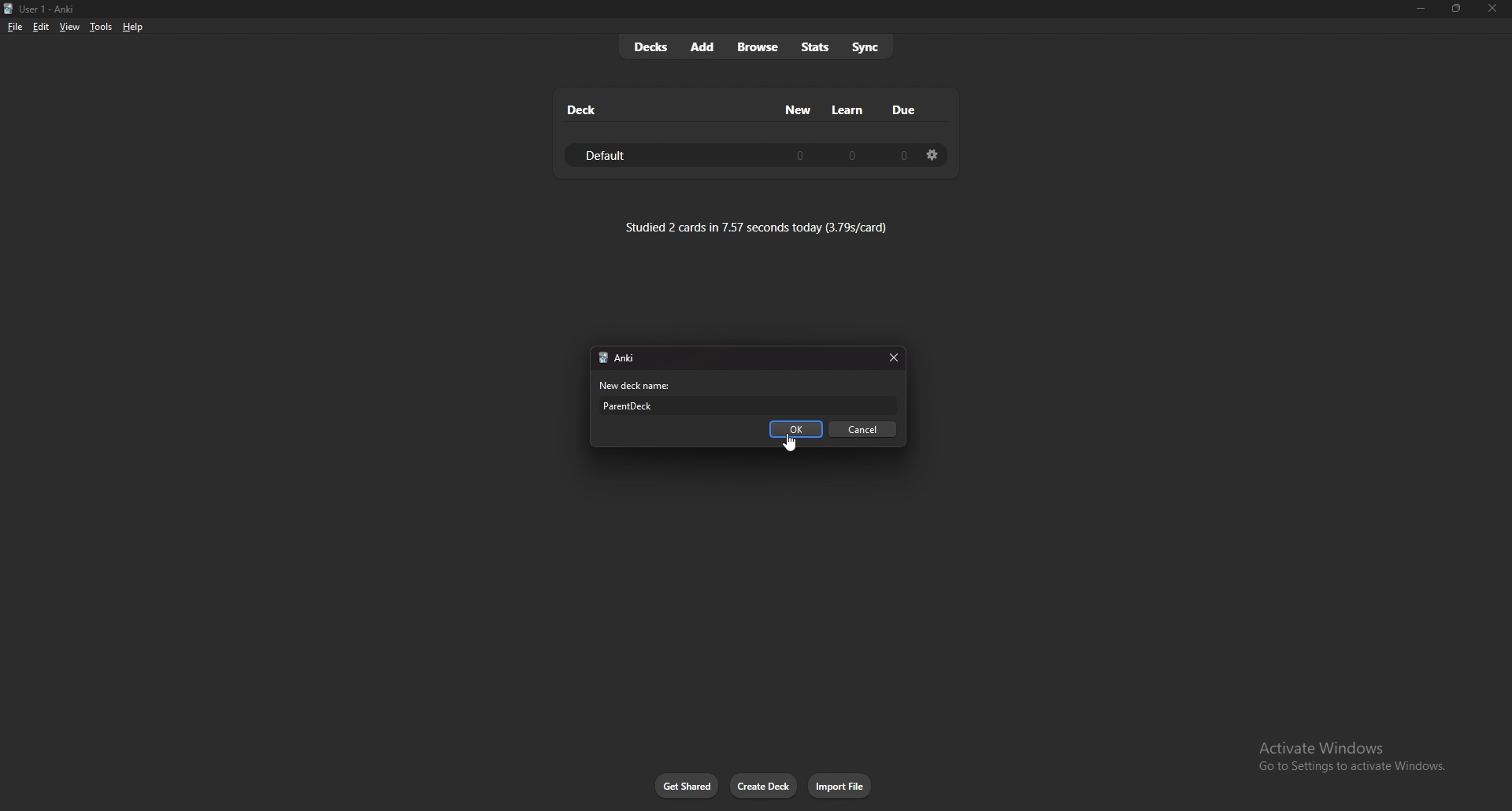 This screenshot has width=1512, height=811. Describe the element at coordinates (815, 47) in the screenshot. I see `stats` at that location.